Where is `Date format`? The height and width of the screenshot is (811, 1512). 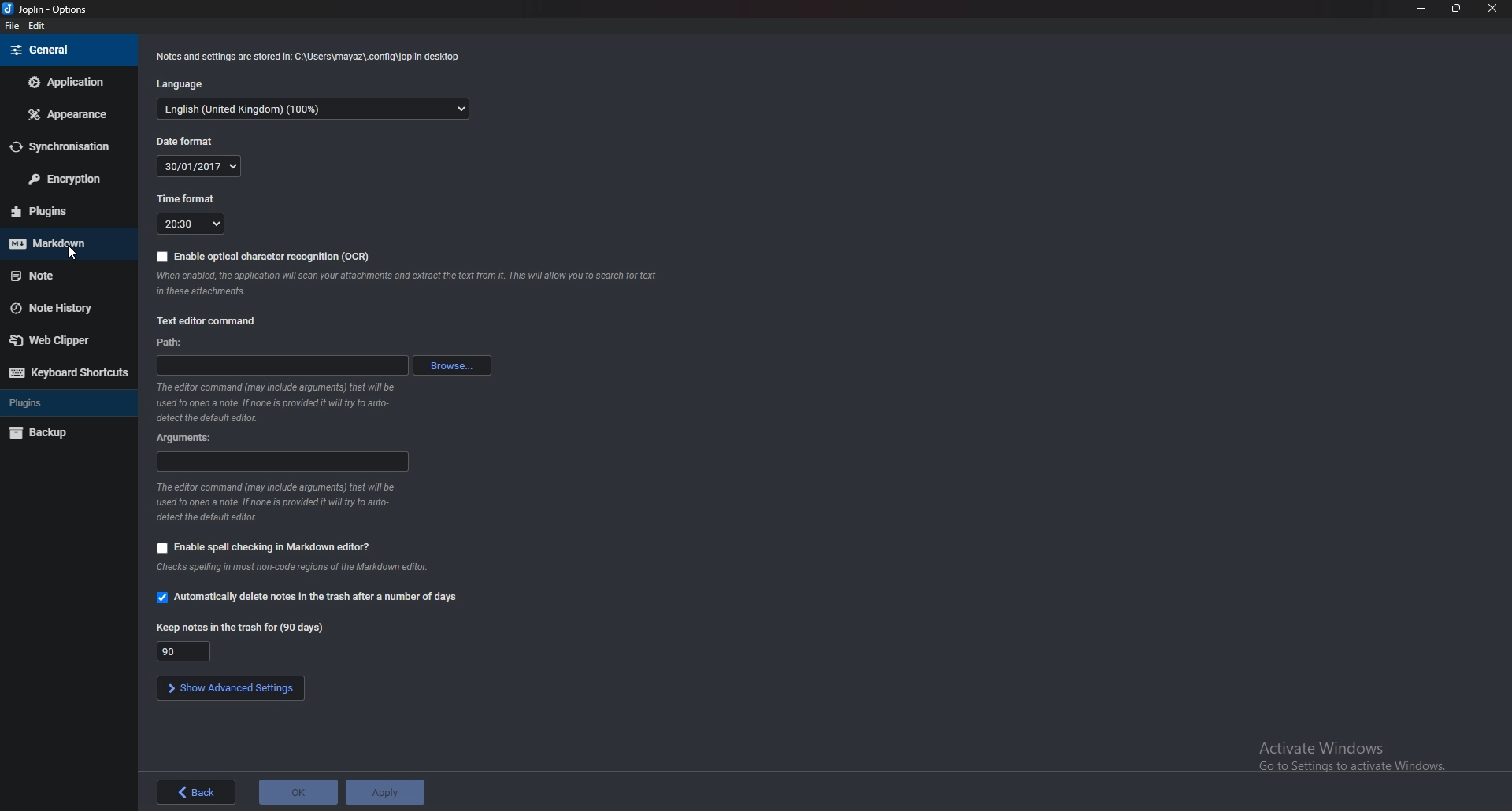
Date format is located at coordinates (187, 140).